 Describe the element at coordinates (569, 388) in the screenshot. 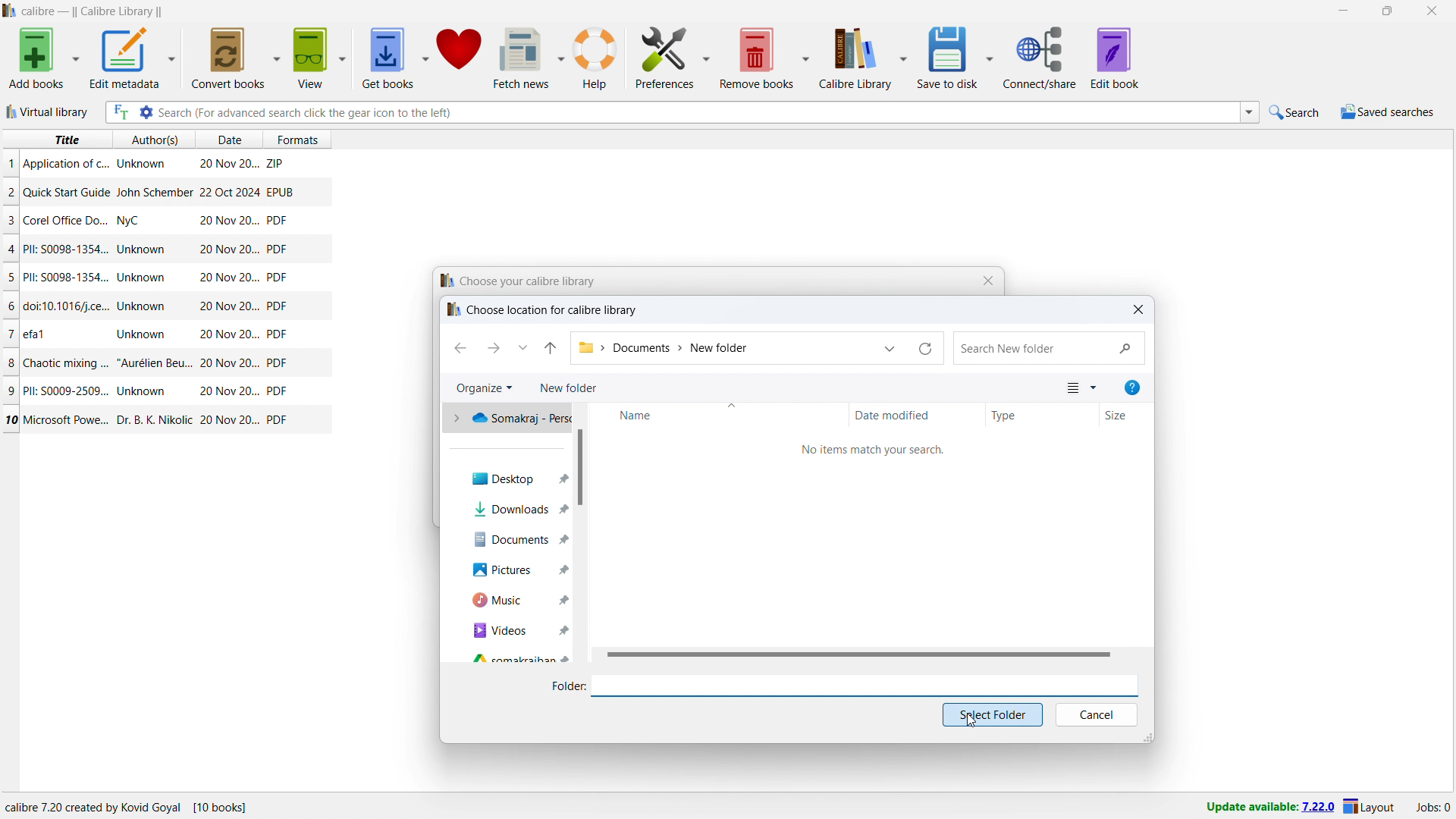

I see `new folder` at that location.